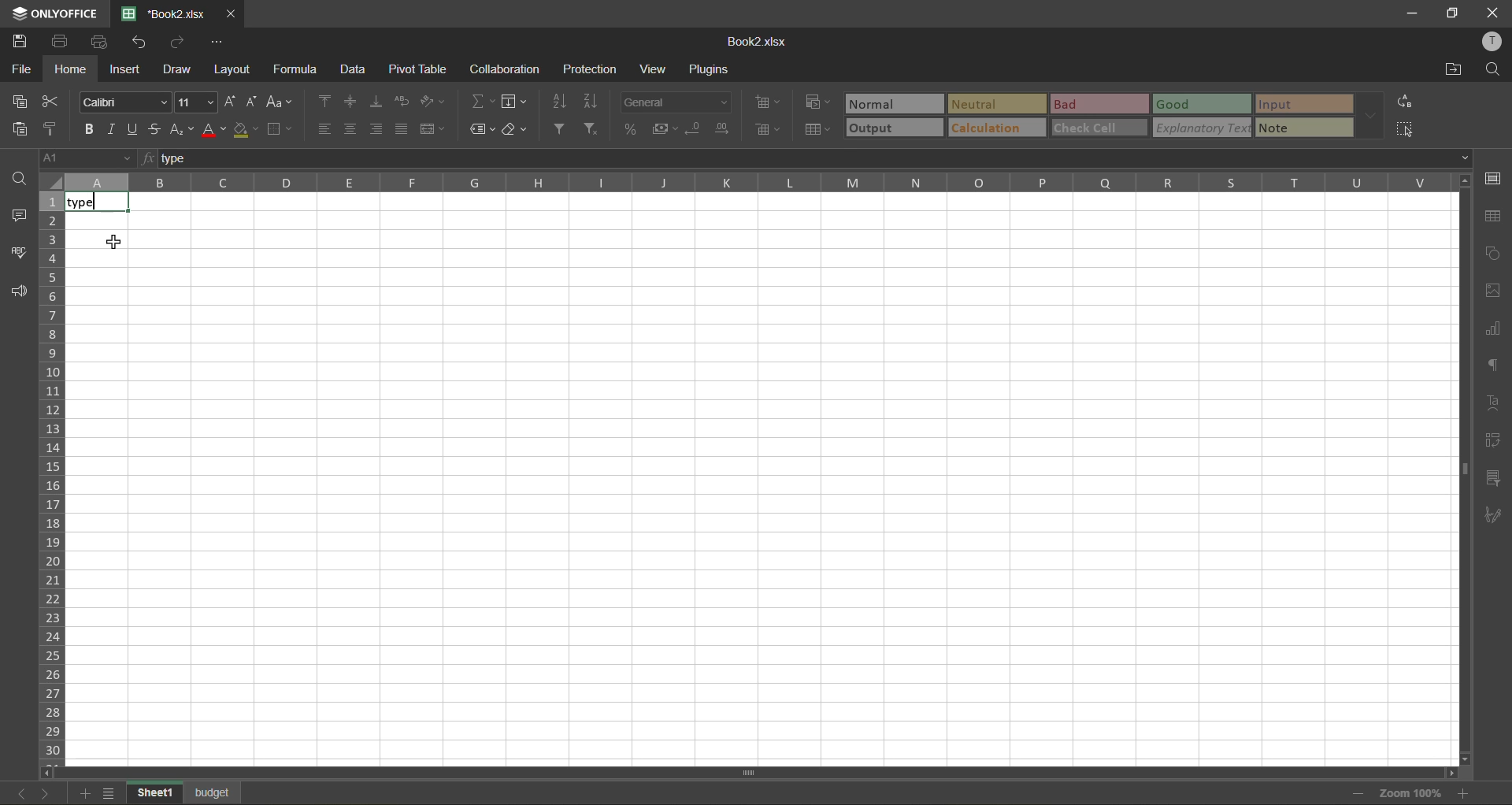  Describe the element at coordinates (1495, 291) in the screenshot. I see `images` at that location.